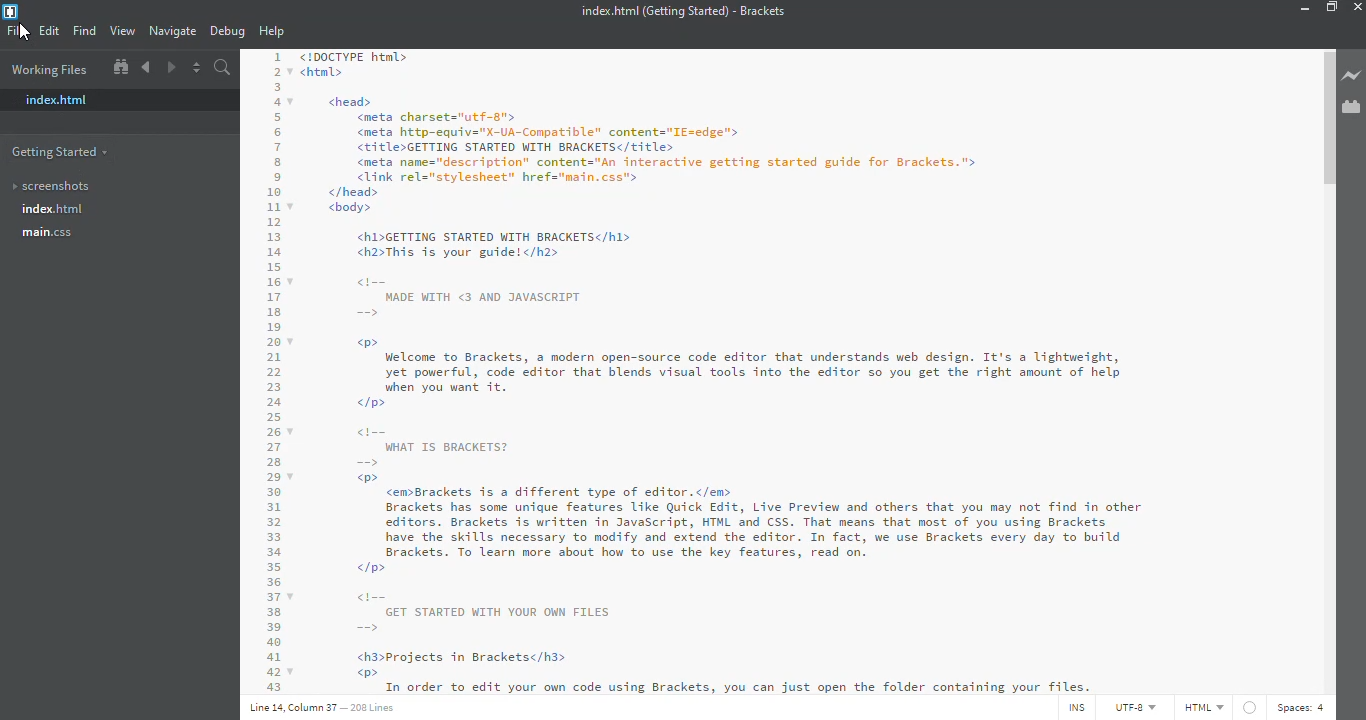 The image size is (1366, 720). What do you see at coordinates (221, 68) in the screenshot?
I see `find in files` at bounding box center [221, 68].